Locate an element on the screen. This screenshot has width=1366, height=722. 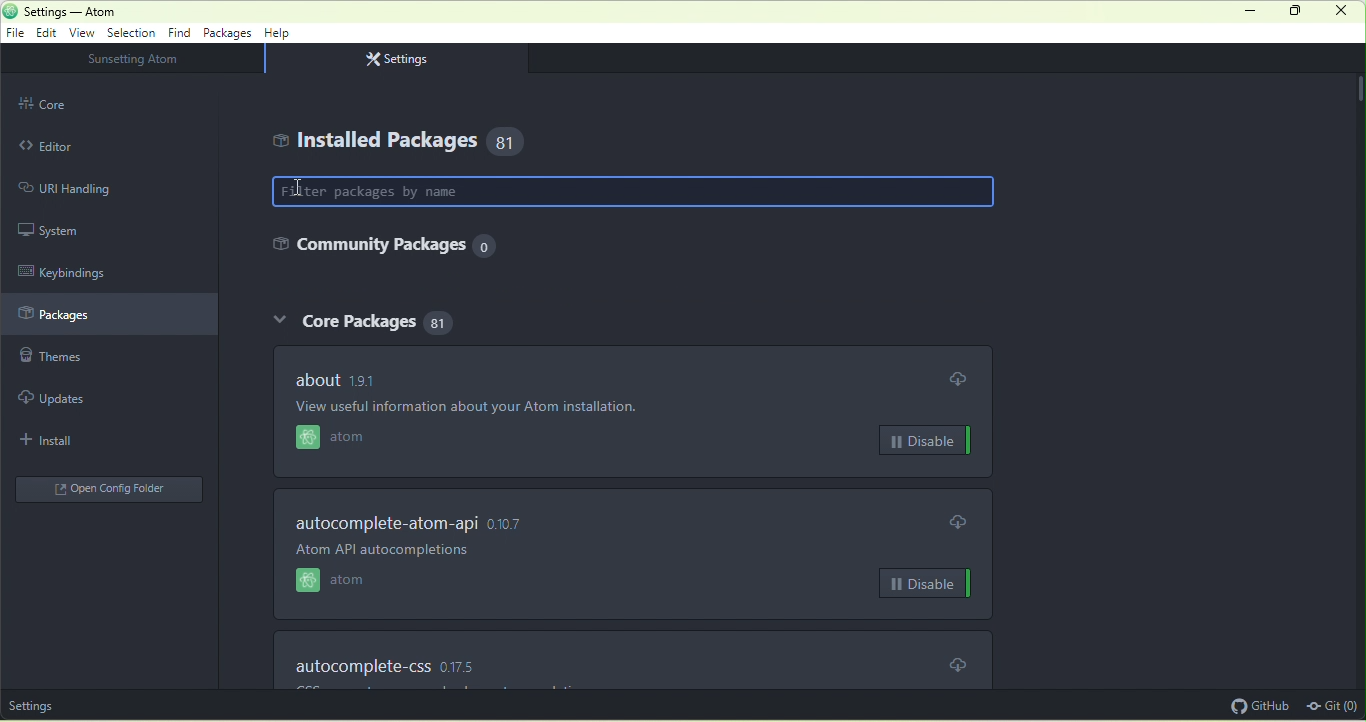
update is located at coordinates (960, 663).